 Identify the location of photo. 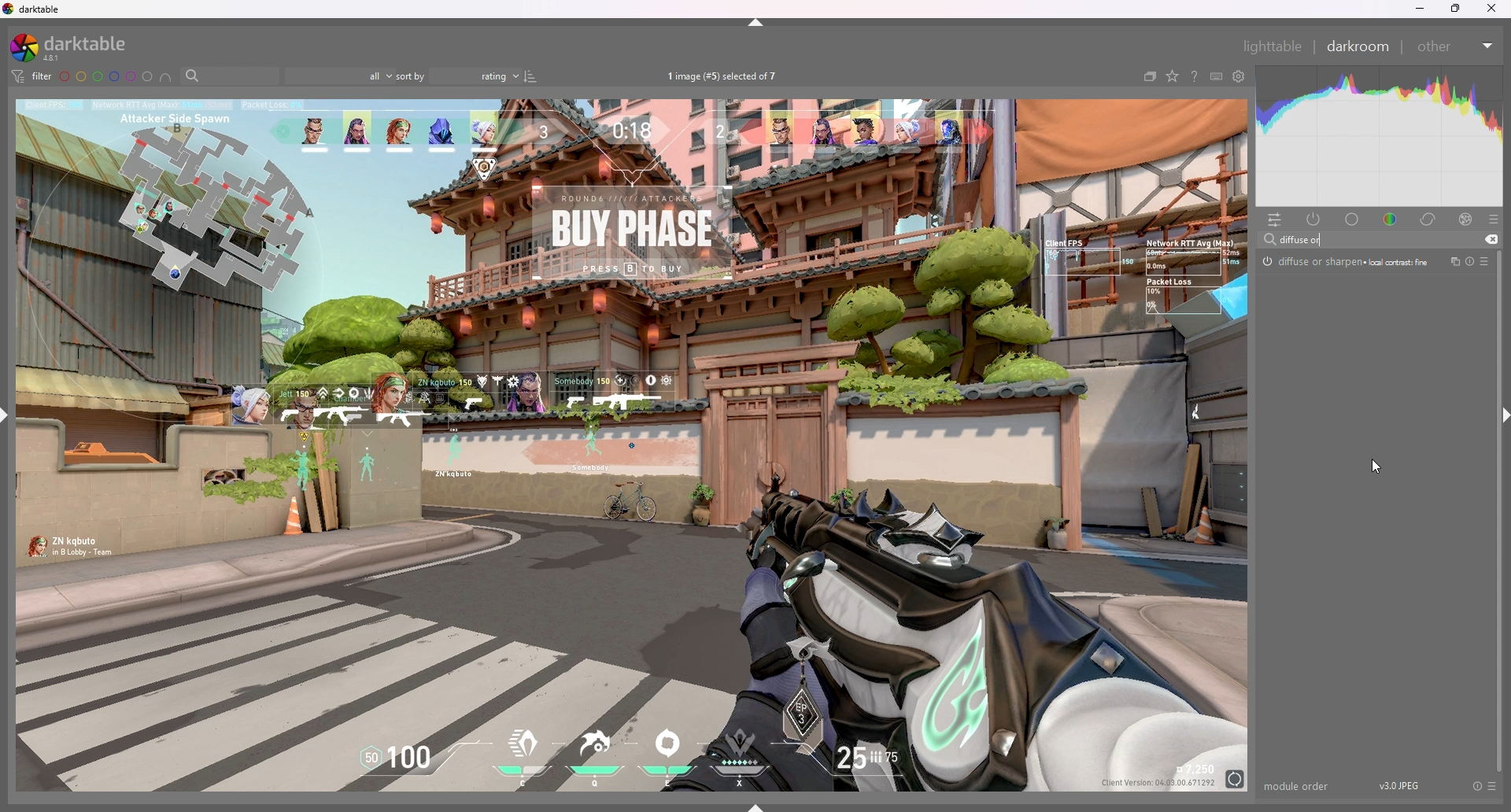
(634, 445).